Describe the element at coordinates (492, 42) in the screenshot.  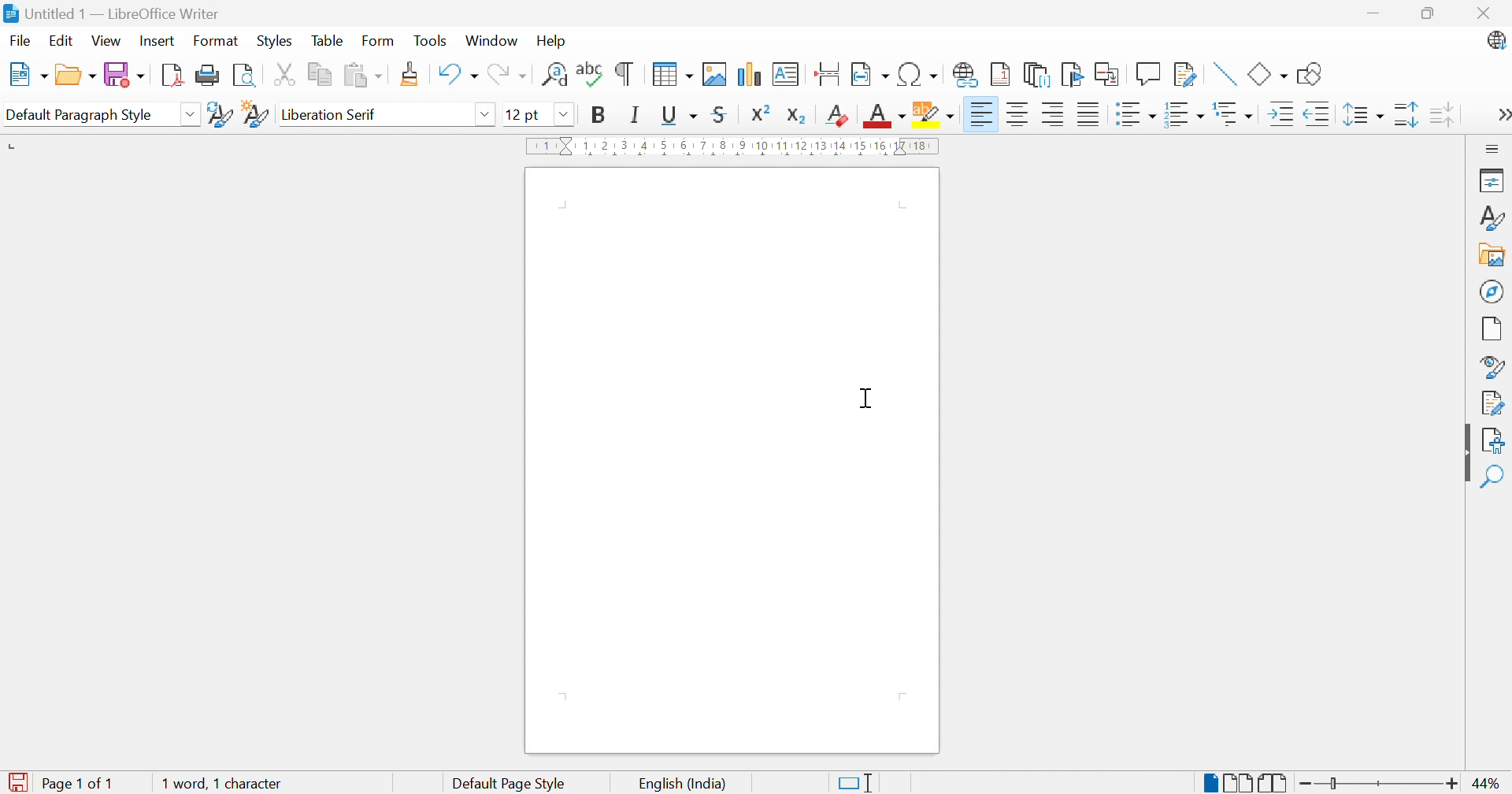
I see `Window` at that location.